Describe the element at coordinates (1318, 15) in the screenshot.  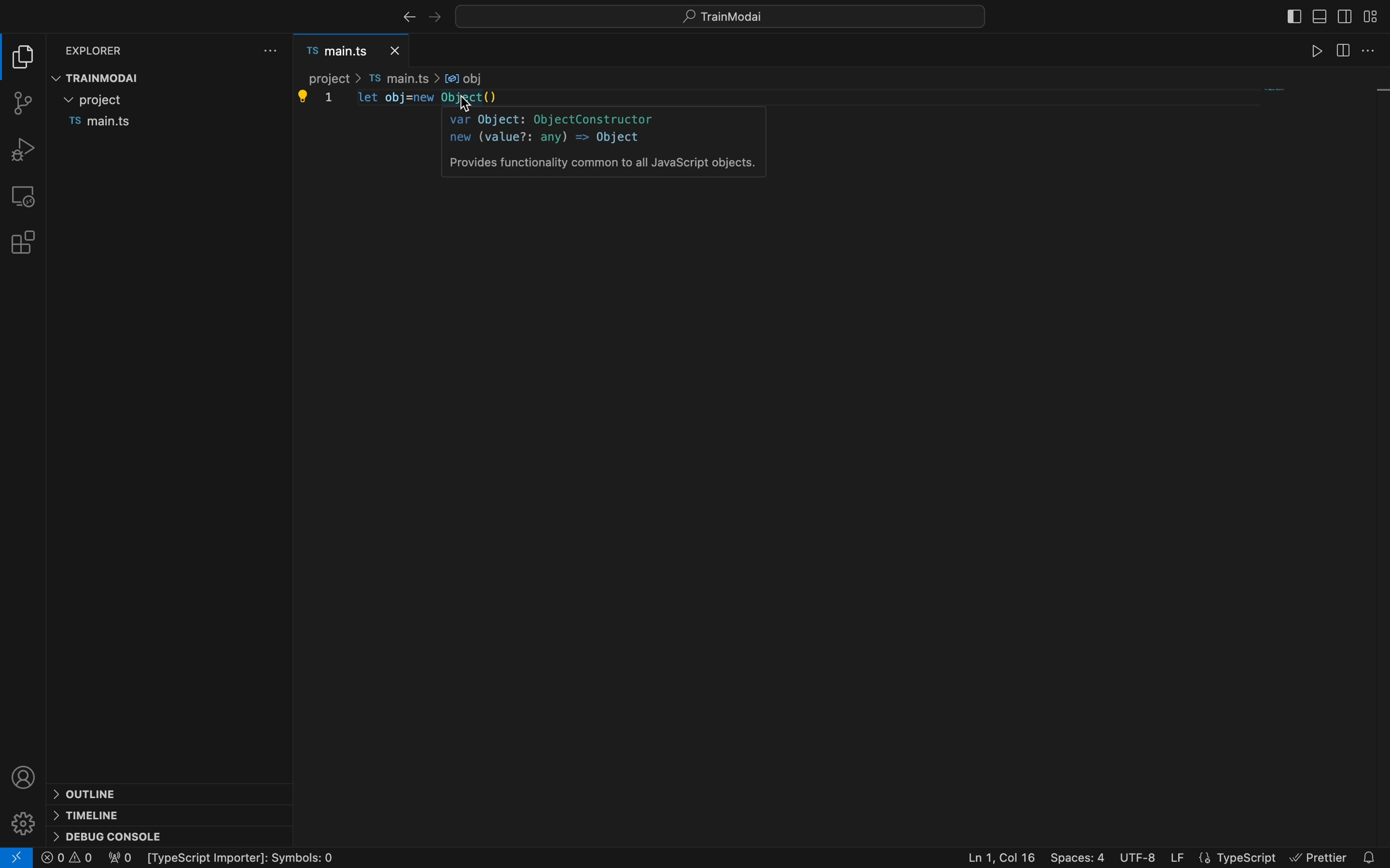
I see `toggle primary bar` at that location.